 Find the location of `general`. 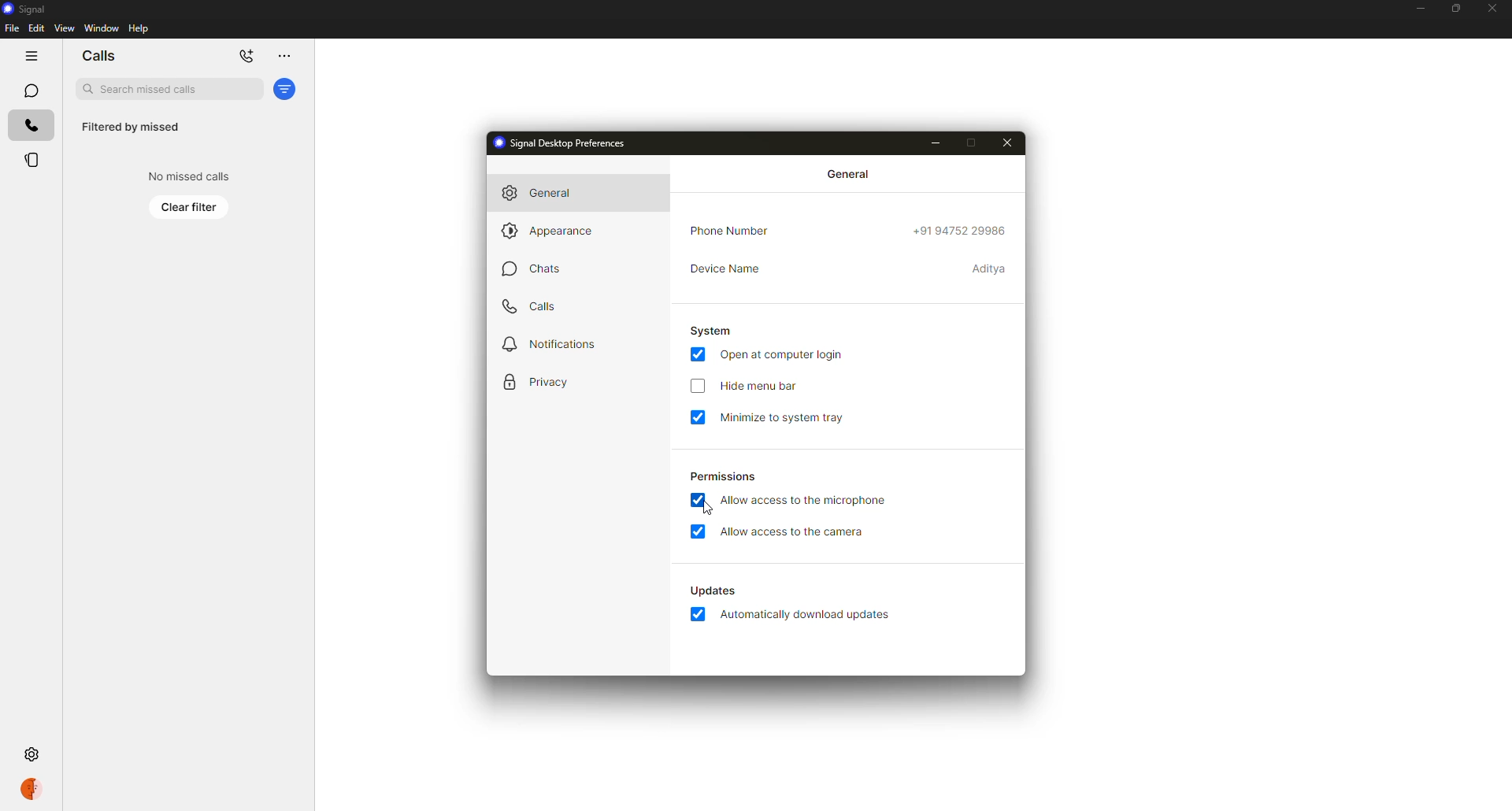

general is located at coordinates (547, 192).